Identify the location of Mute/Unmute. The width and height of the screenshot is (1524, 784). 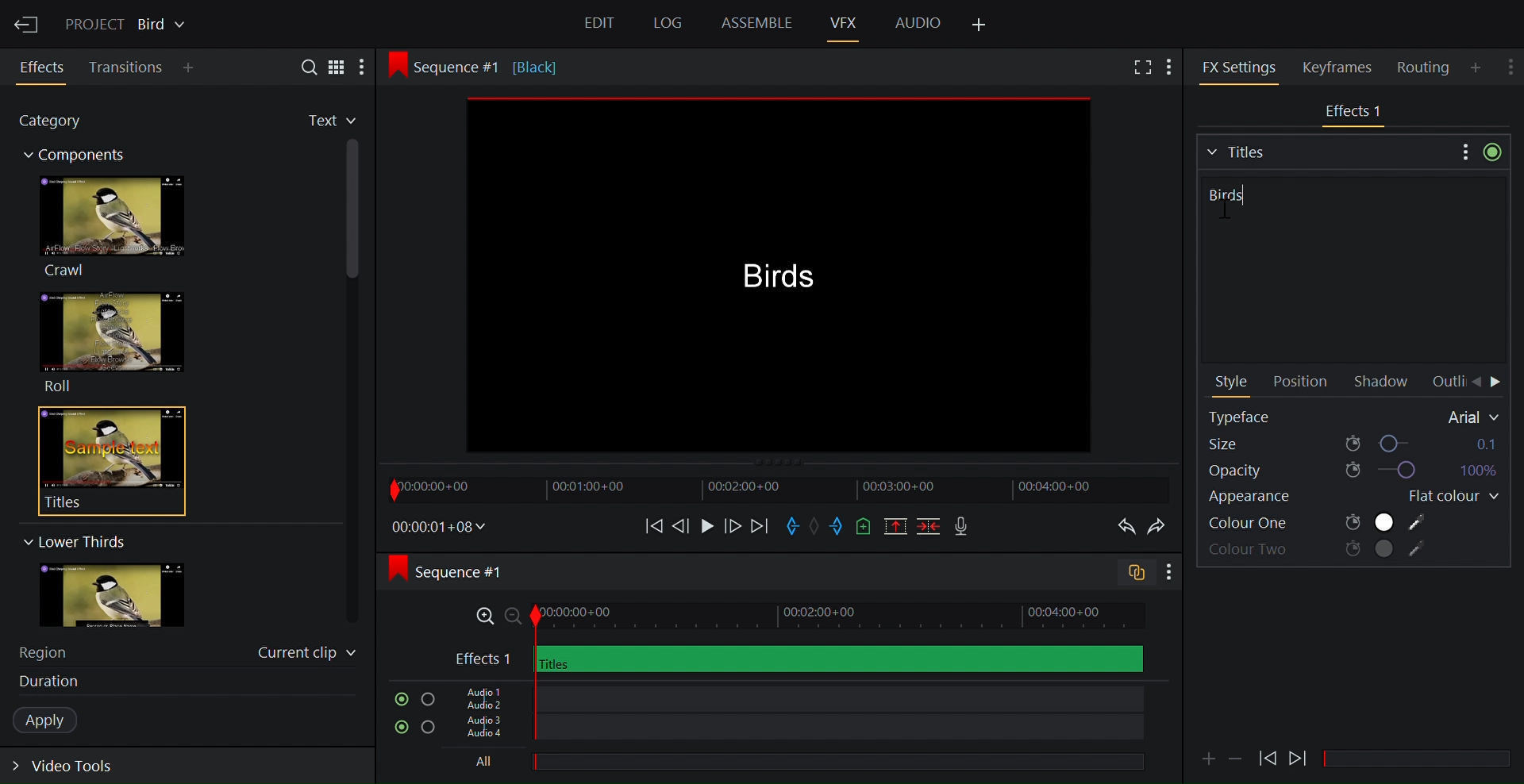
(398, 699).